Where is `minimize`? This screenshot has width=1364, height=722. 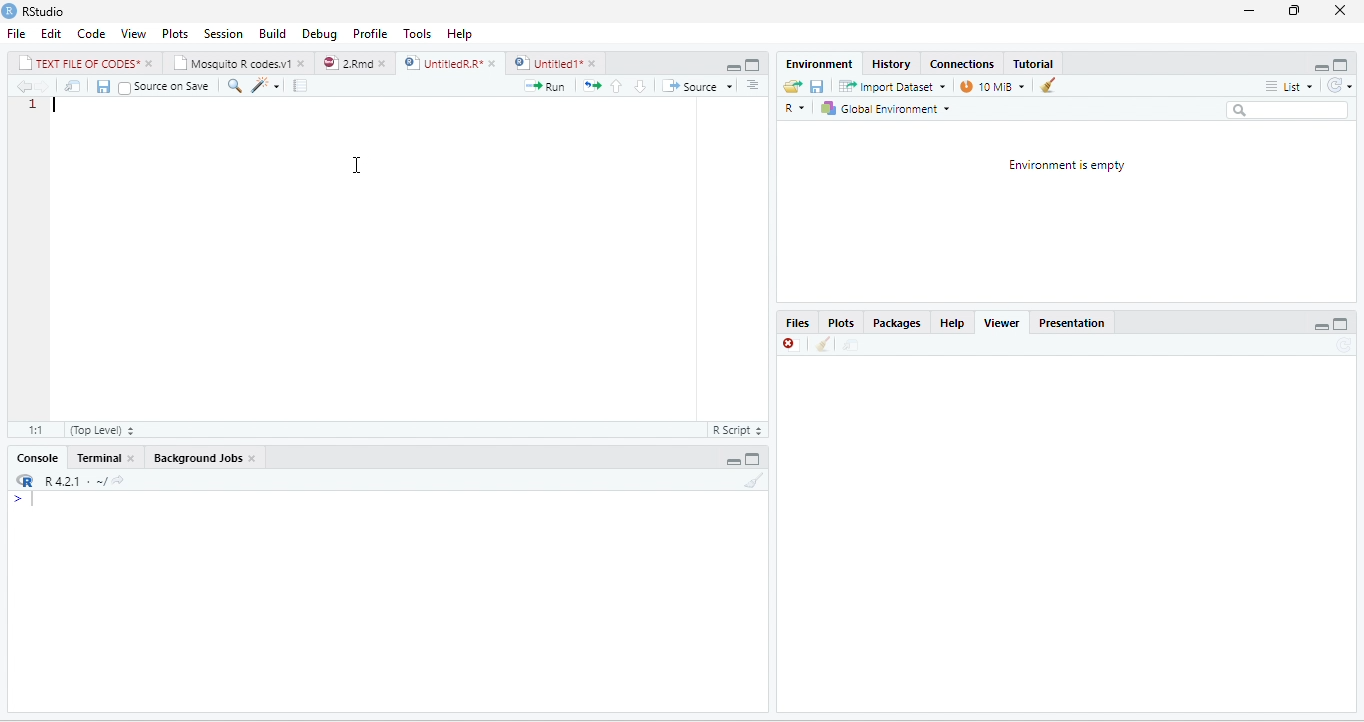
minimize is located at coordinates (735, 457).